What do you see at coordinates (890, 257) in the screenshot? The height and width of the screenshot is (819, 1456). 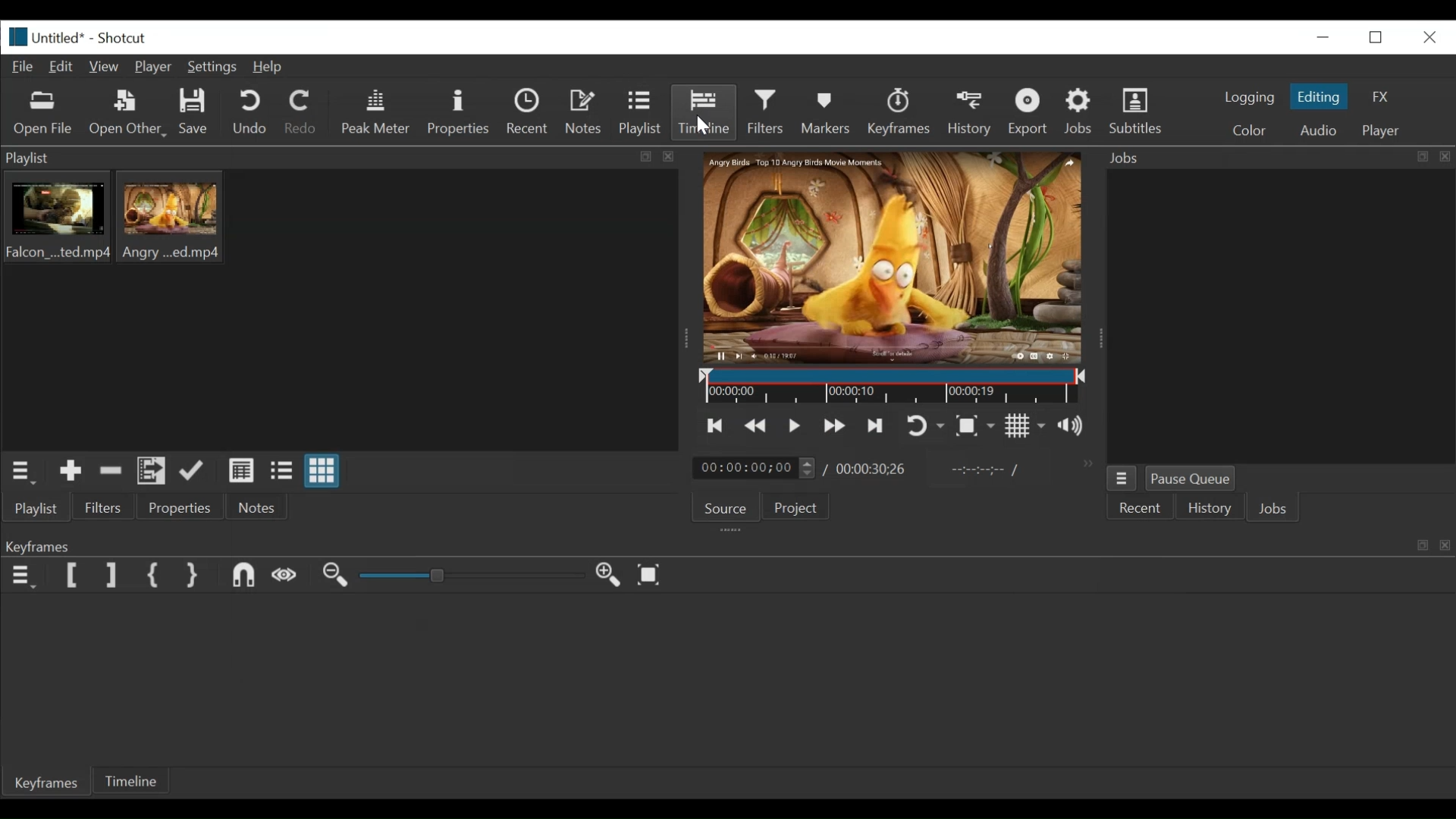 I see `media viewer` at bounding box center [890, 257].